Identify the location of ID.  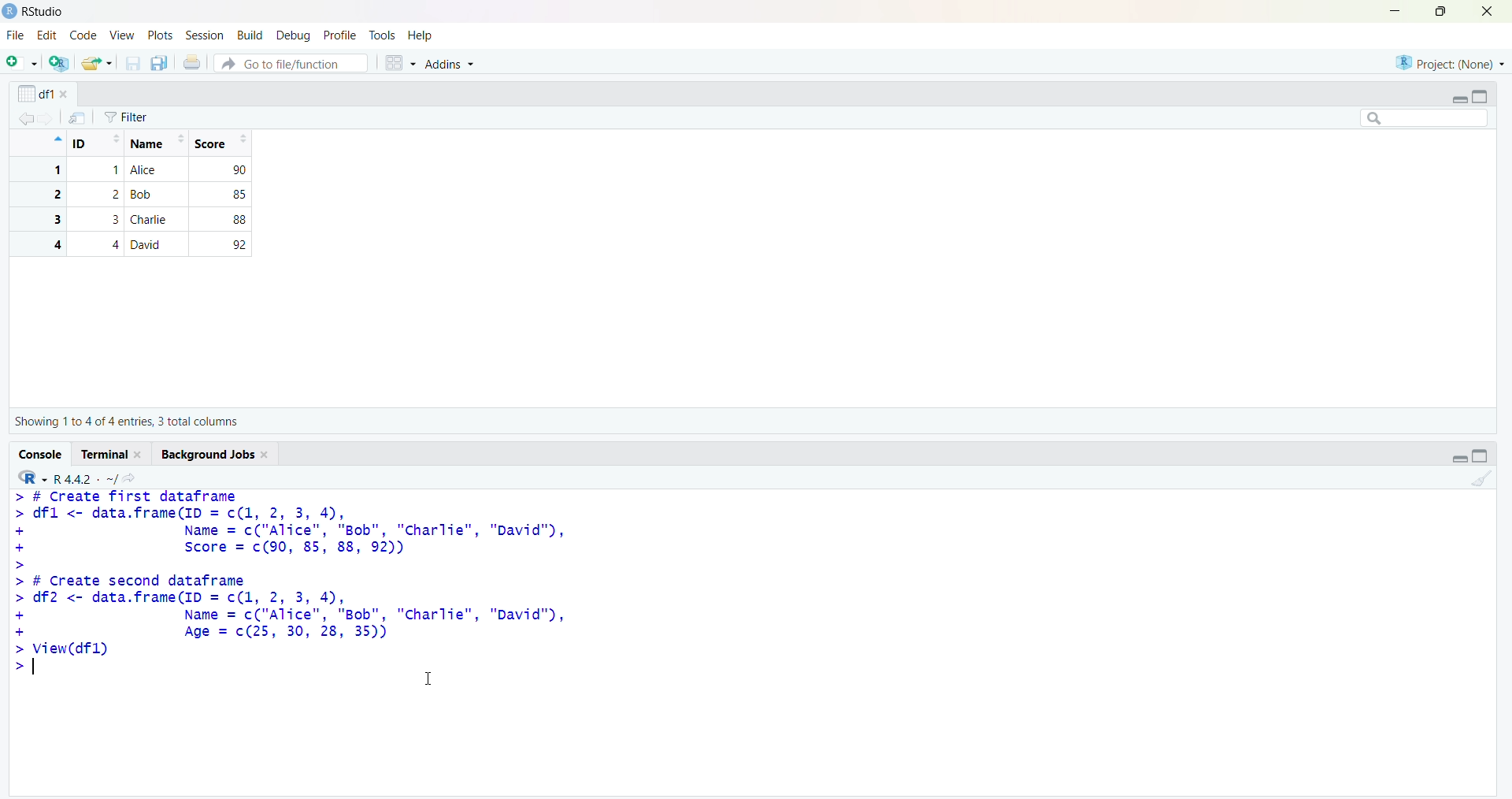
(97, 143).